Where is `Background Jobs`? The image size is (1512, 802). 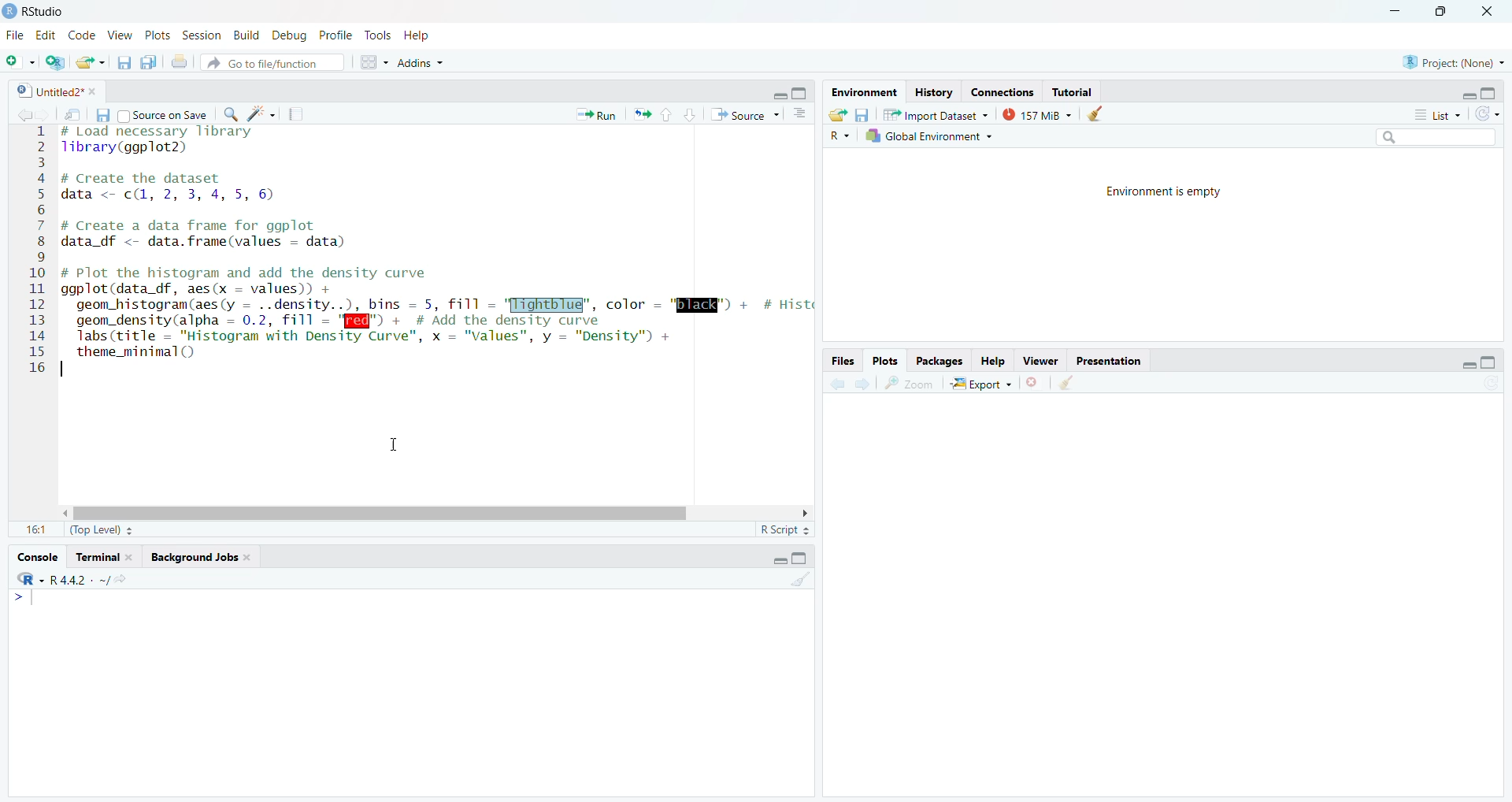
Background Jobs is located at coordinates (191, 556).